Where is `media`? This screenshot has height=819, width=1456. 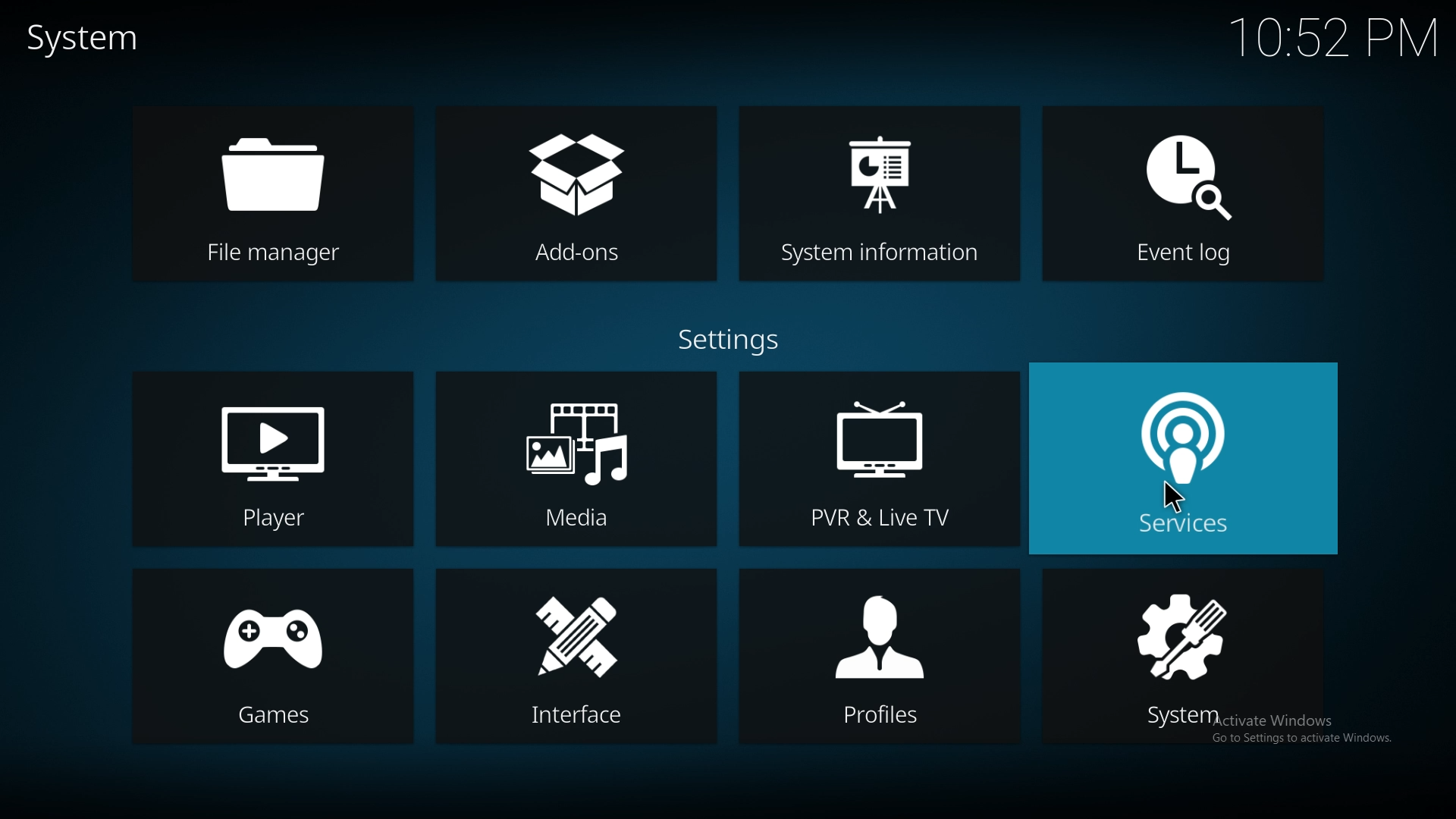
media is located at coordinates (574, 459).